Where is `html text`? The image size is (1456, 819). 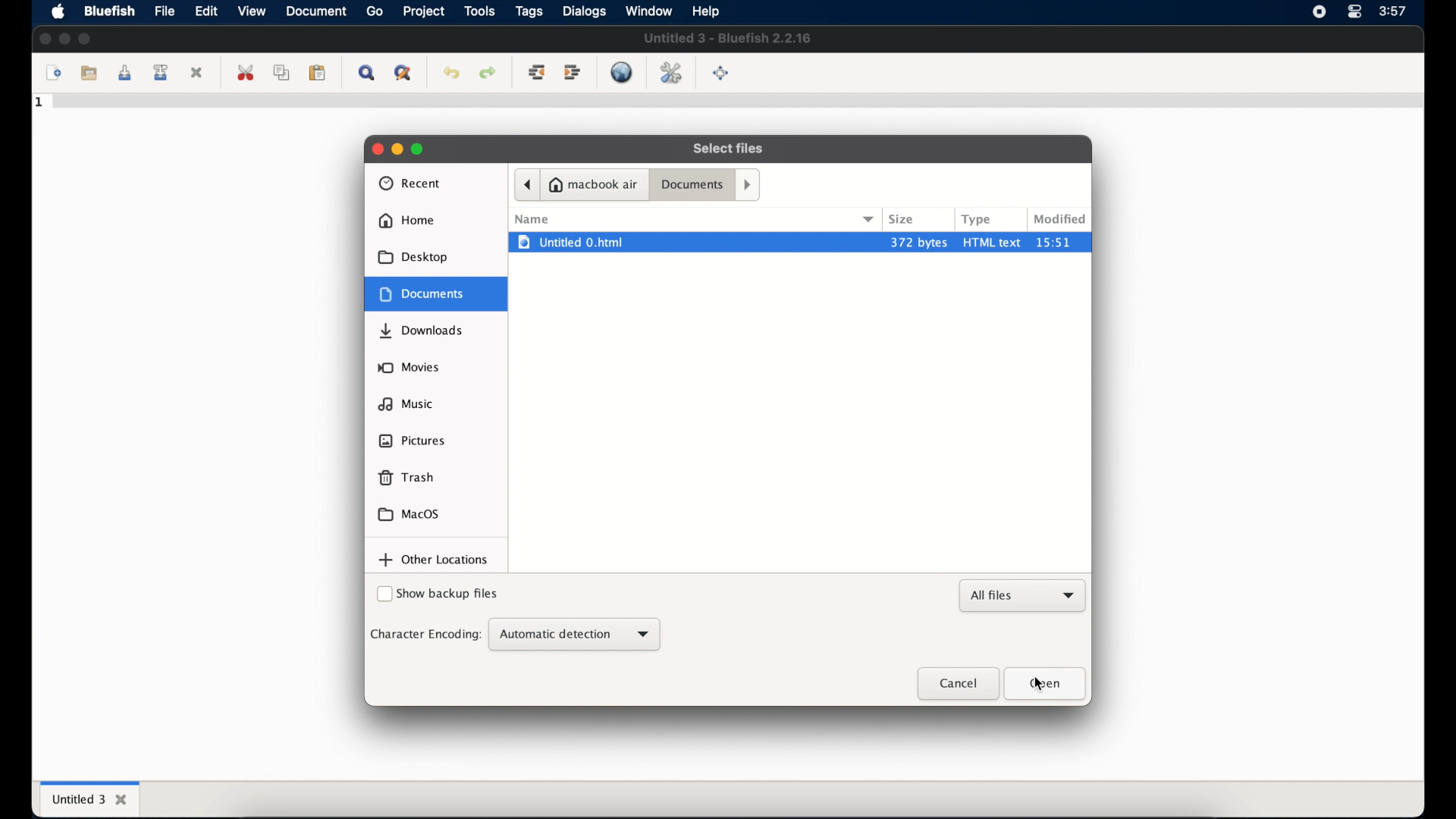 html text is located at coordinates (993, 241).